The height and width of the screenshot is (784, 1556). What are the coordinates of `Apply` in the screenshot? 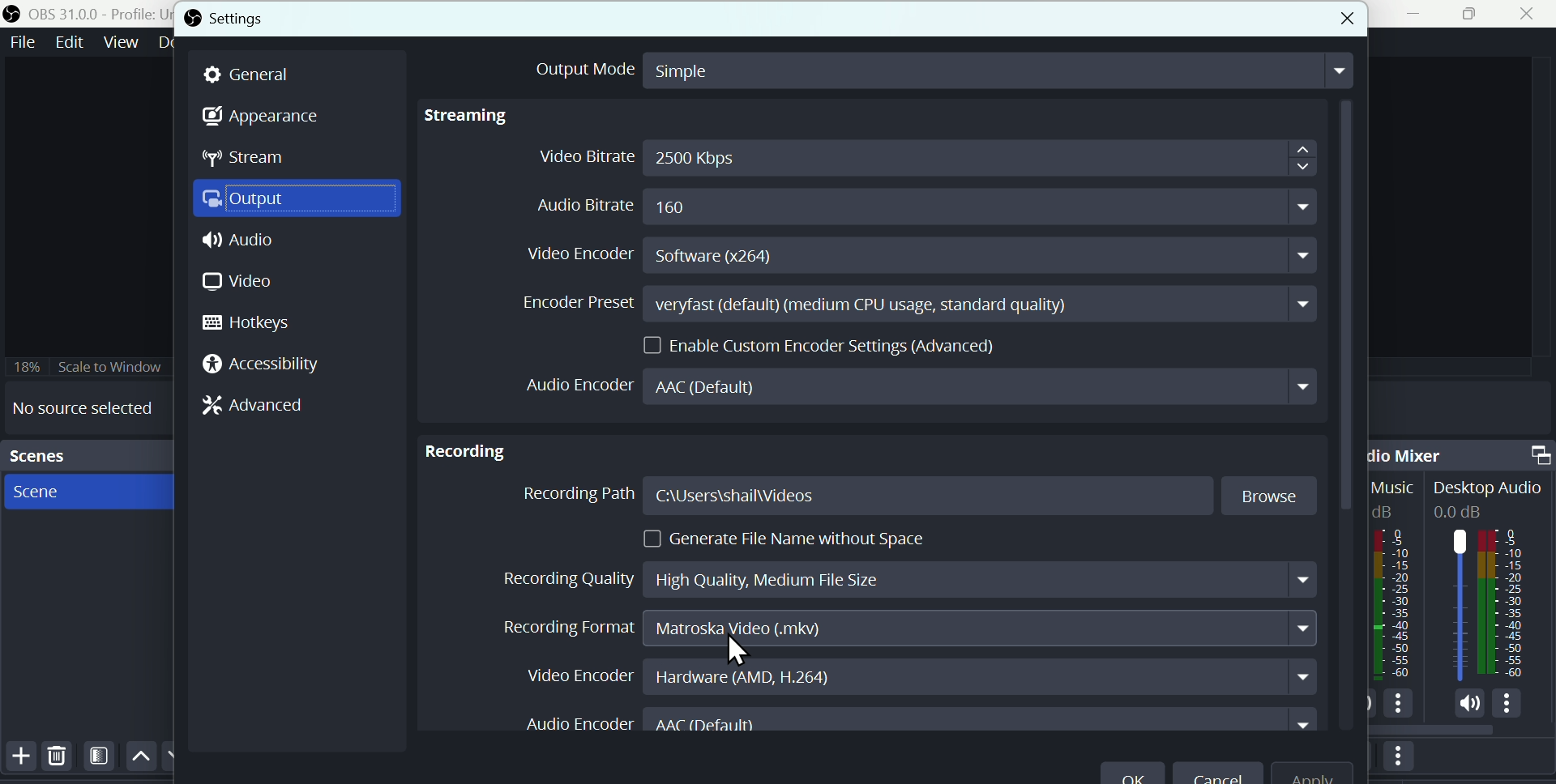 It's located at (1310, 769).